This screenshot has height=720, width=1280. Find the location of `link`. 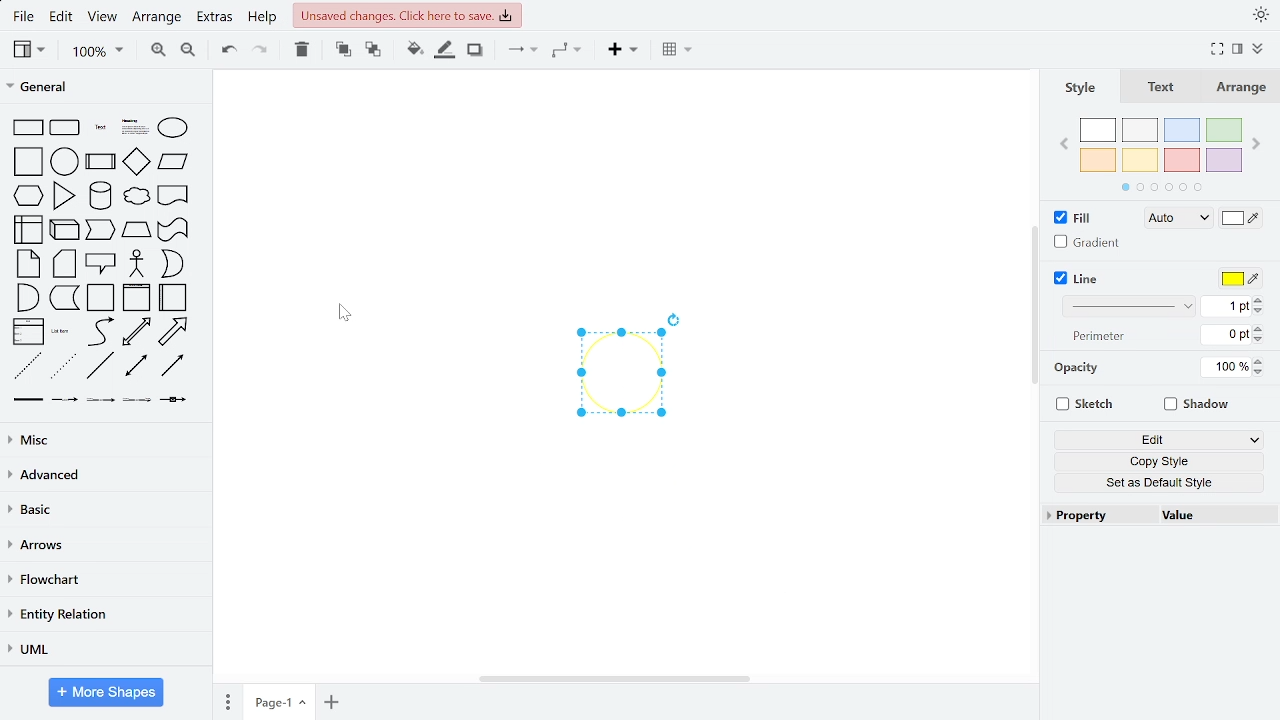

link is located at coordinates (27, 400).